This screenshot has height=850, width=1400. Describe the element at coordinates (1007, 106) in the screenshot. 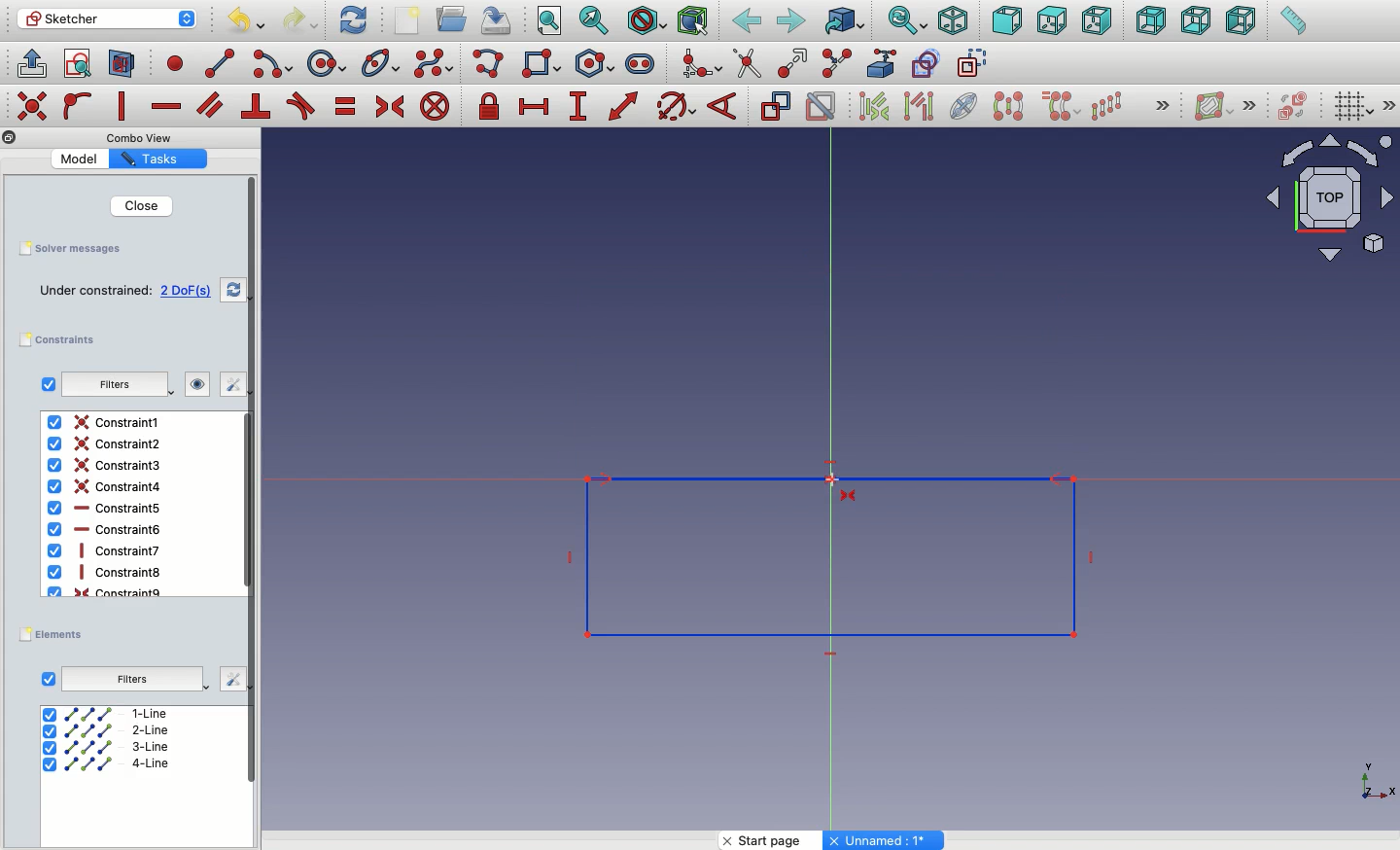

I see `Symmetry` at that location.